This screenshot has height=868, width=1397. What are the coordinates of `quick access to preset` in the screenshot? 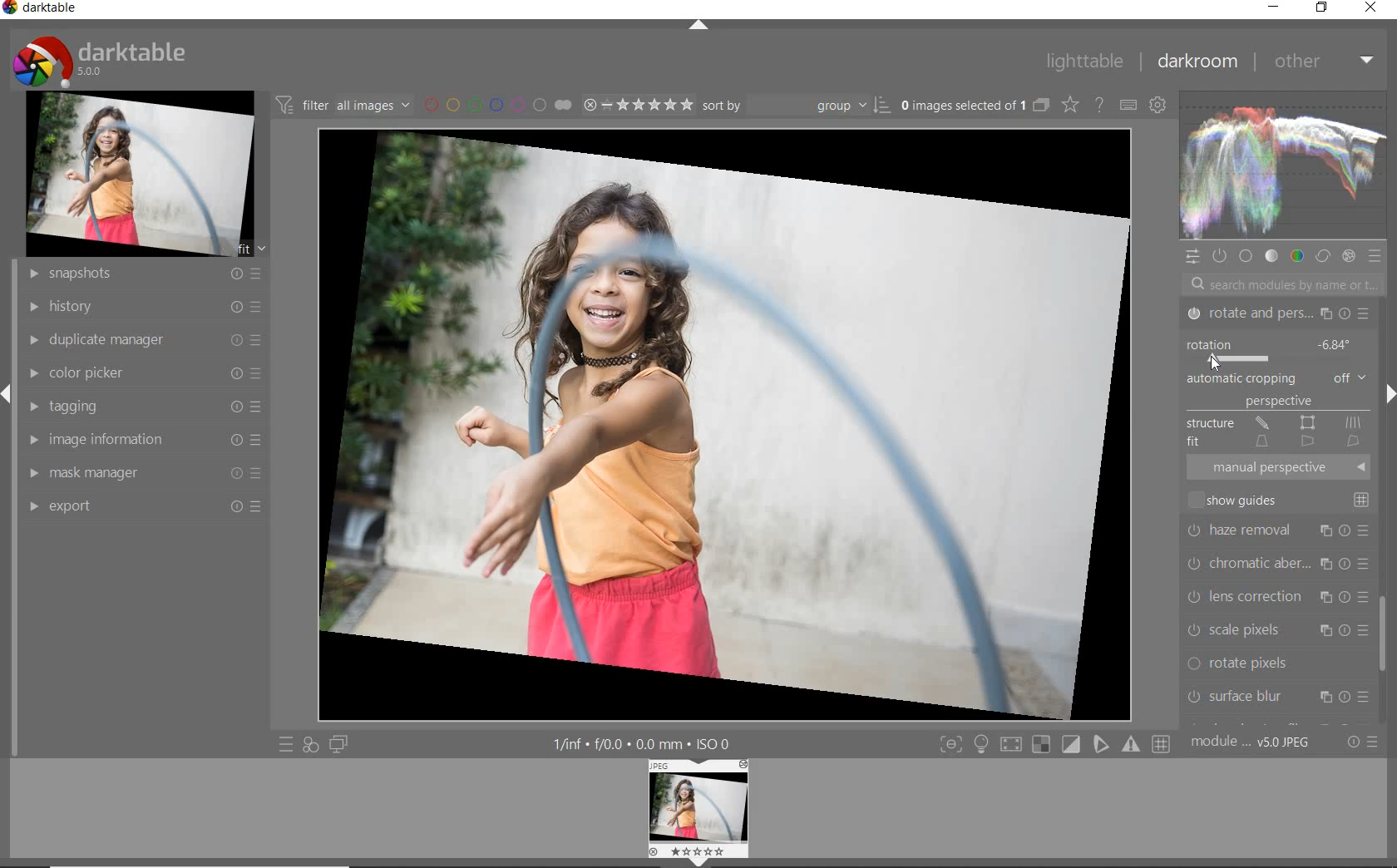 It's located at (287, 743).